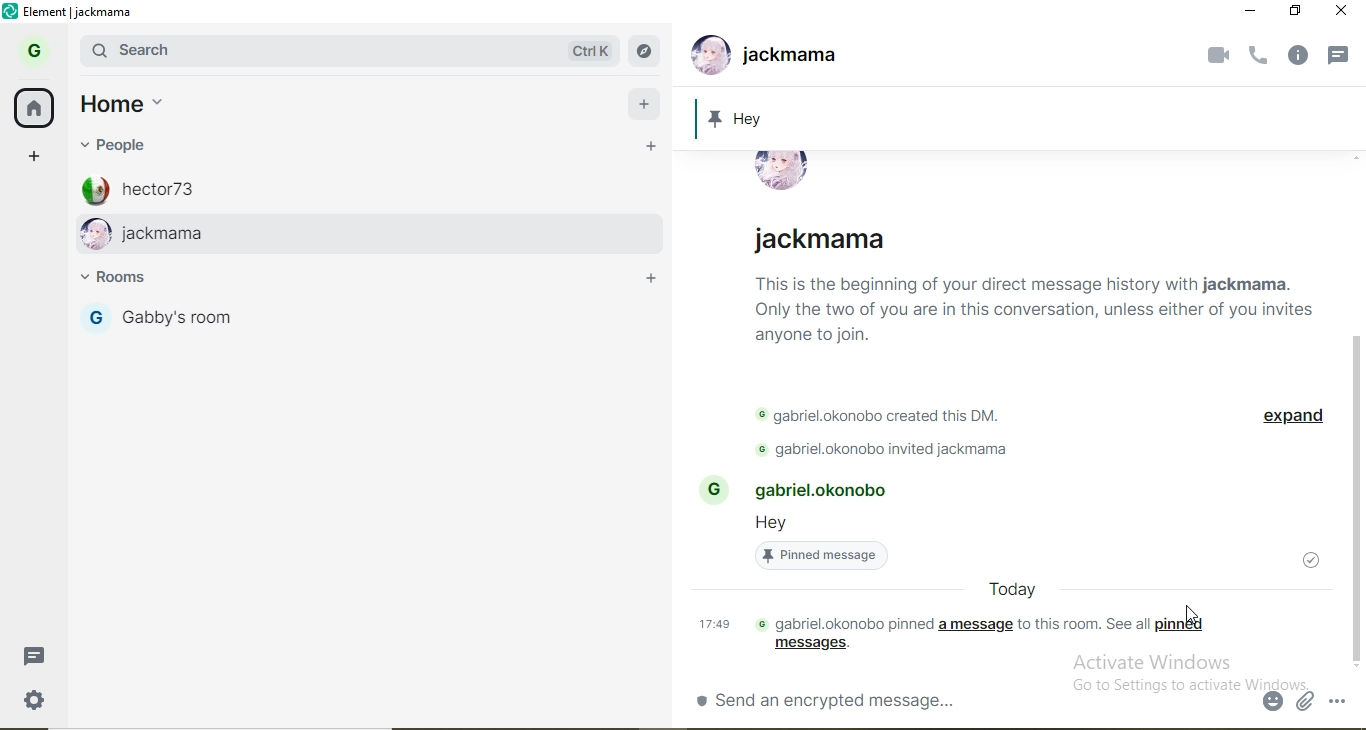 This screenshot has height=730, width=1366. What do you see at coordinates (589, 49) in the screenshot?
I see `ctrl k` at bounding box center [589, 49].